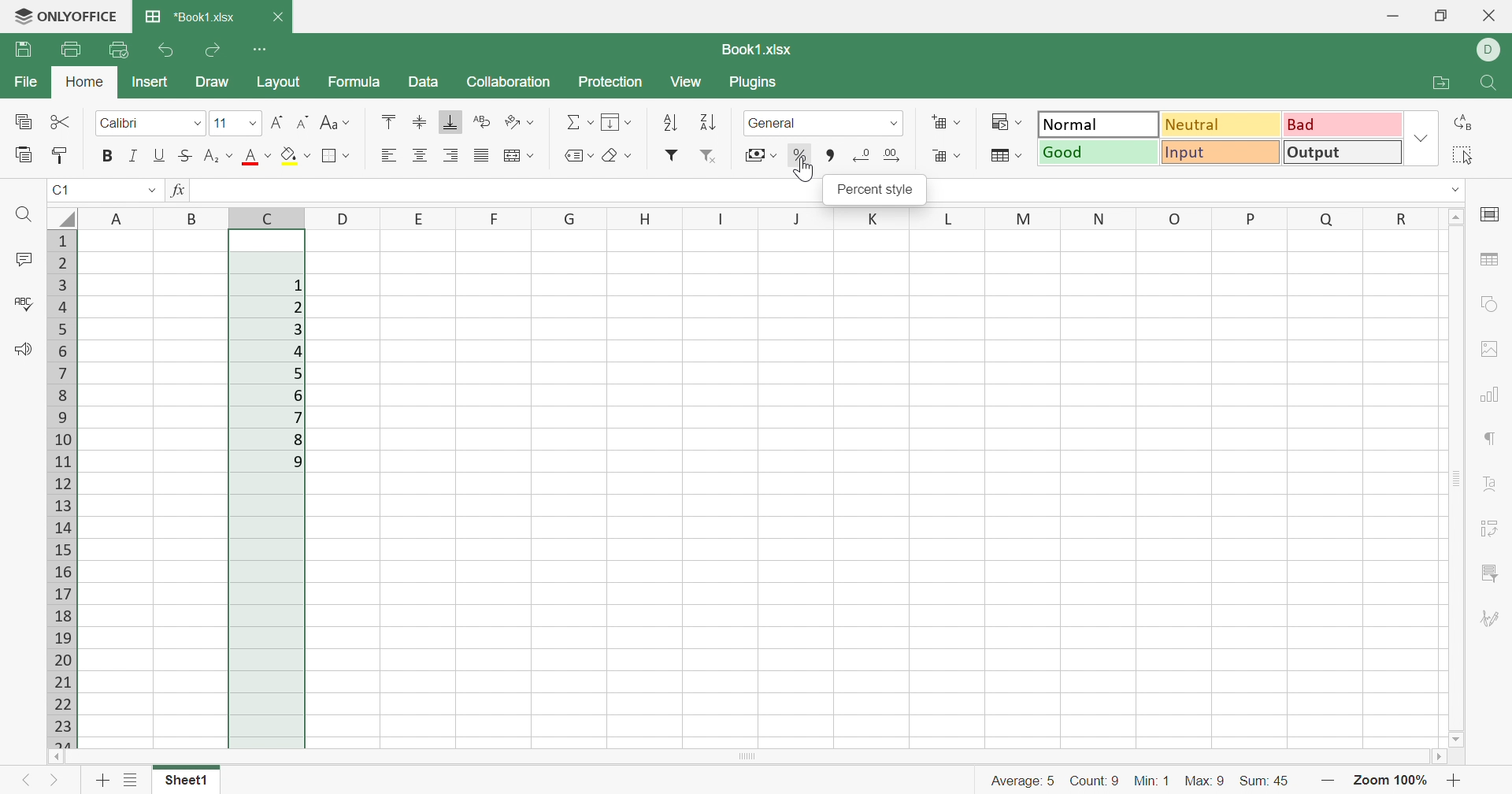 The height and width of the screenshot is (794, 1512). What do you see at coordinates (669, 156) in the screenshot?
I see `Filter` at bounding box center [669, 156].